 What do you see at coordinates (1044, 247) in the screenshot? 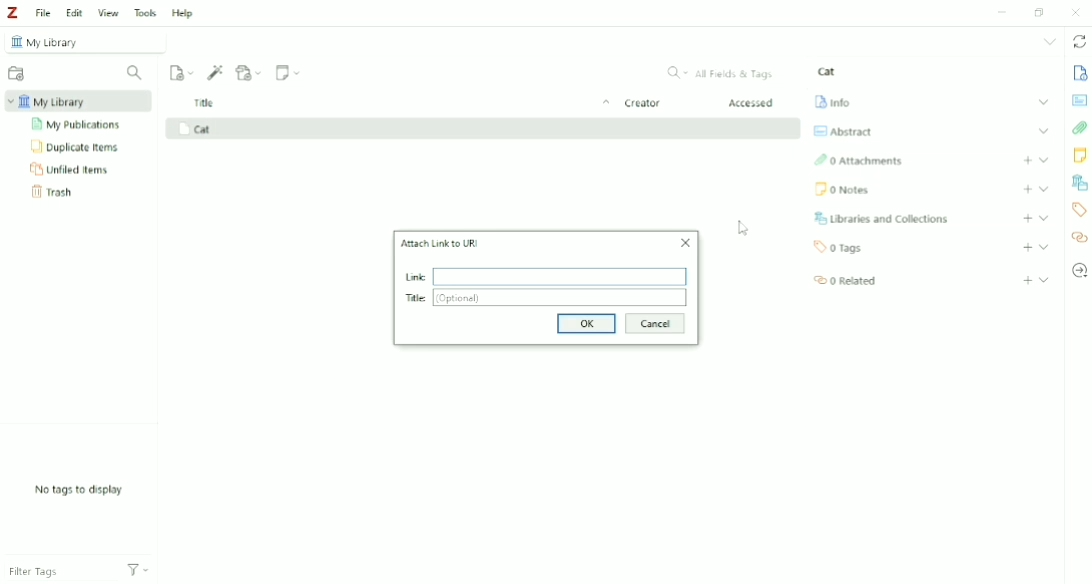
I see `Expand section` at bounding box center [1044, 247].